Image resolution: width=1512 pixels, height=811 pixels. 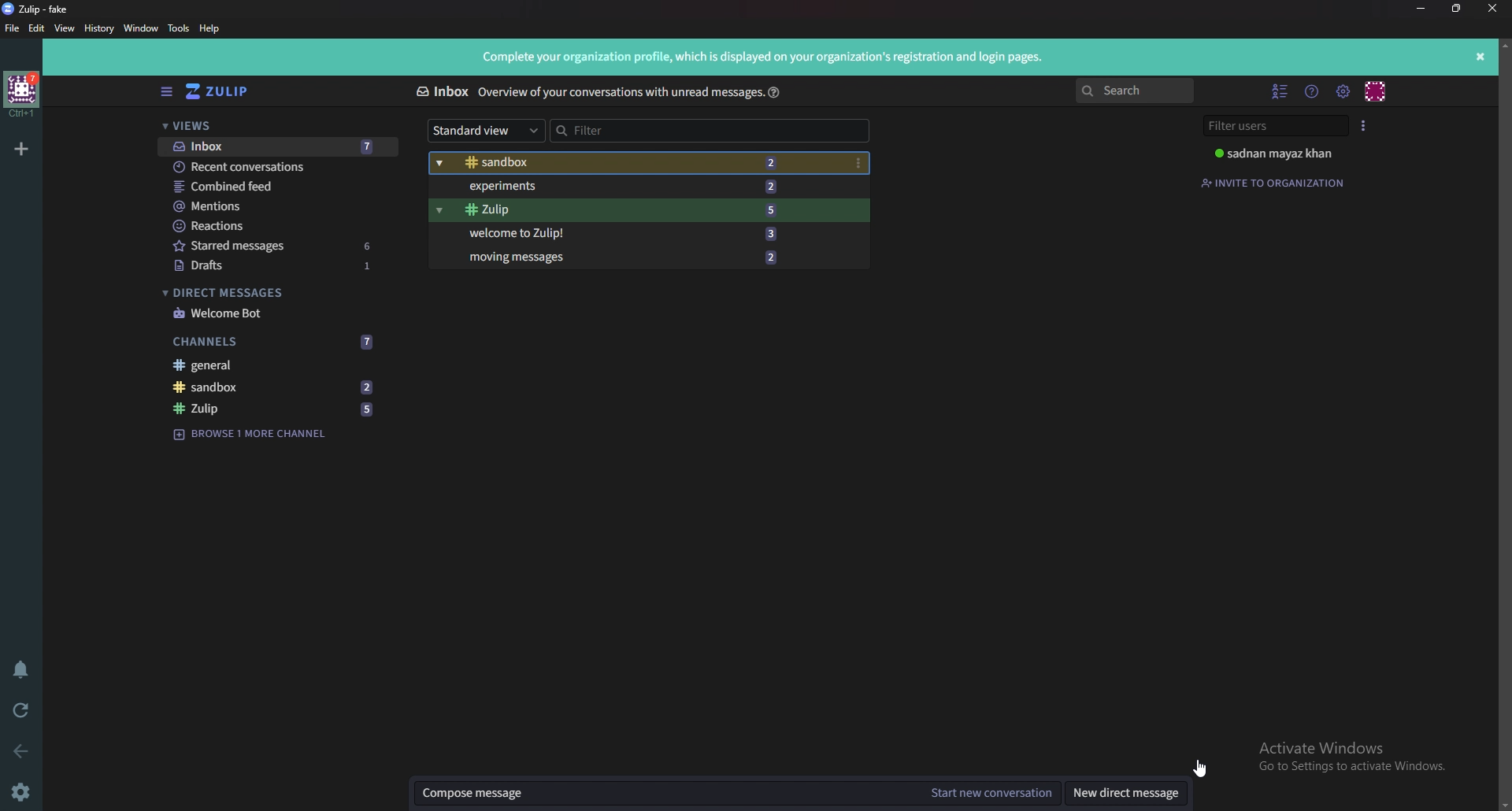 I want to click on Filter users, so click(x=1275, y=126).